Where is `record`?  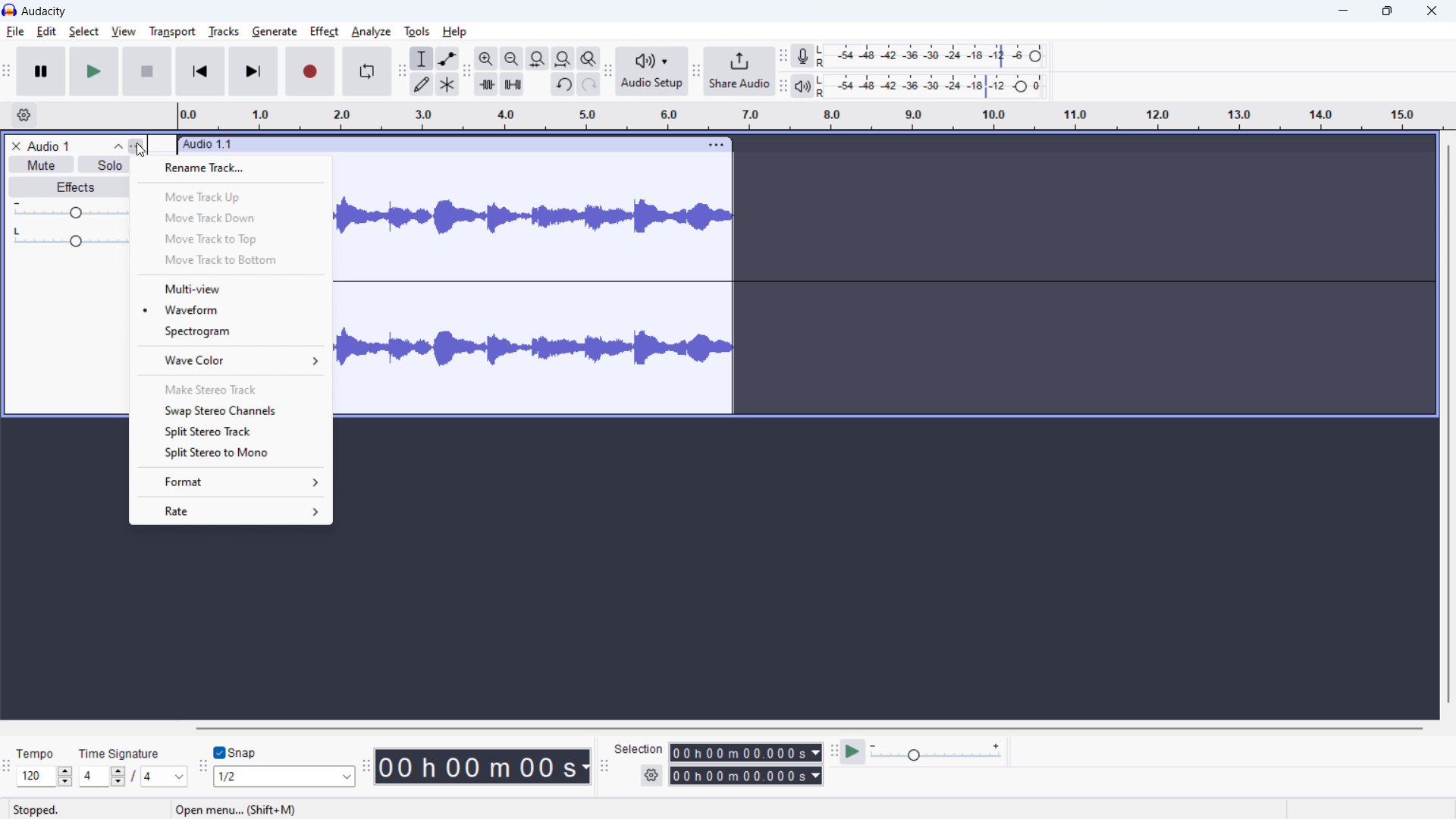 record is located at coordinates (309, 71).